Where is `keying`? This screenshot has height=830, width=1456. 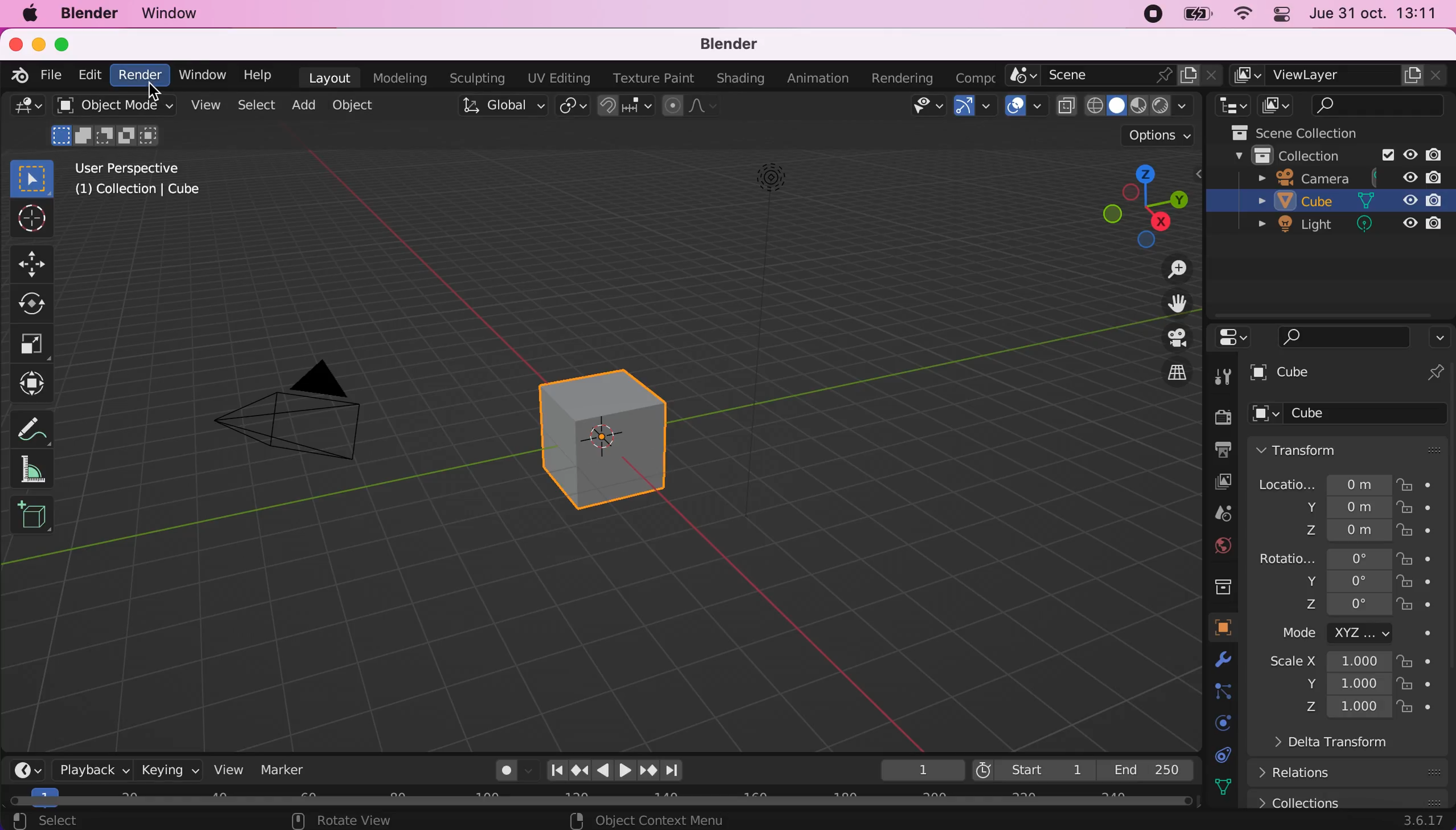 keying is located at coordinates (169, 771).